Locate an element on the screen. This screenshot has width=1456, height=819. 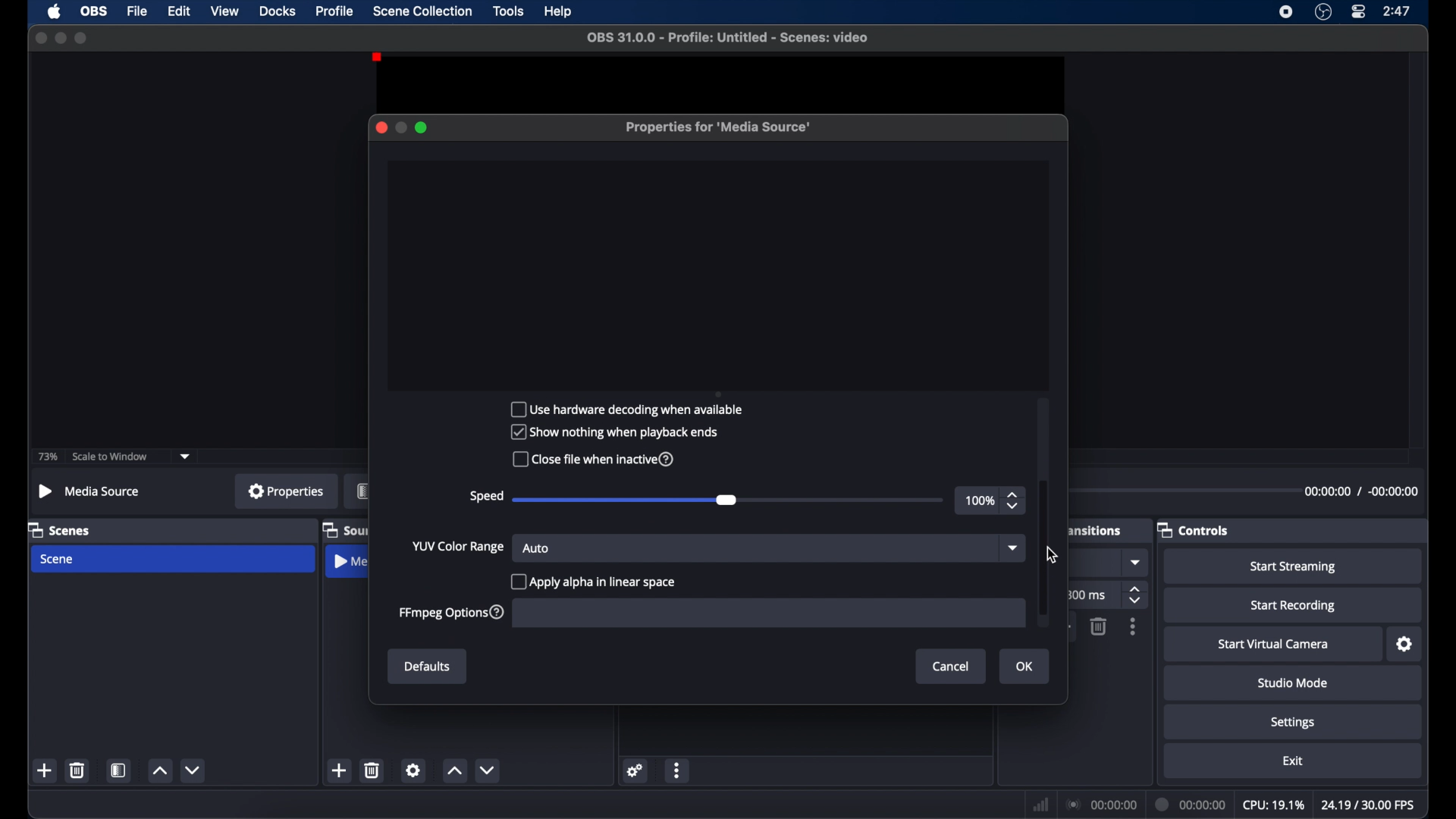
Defaults is located at coordinates (428, 667).